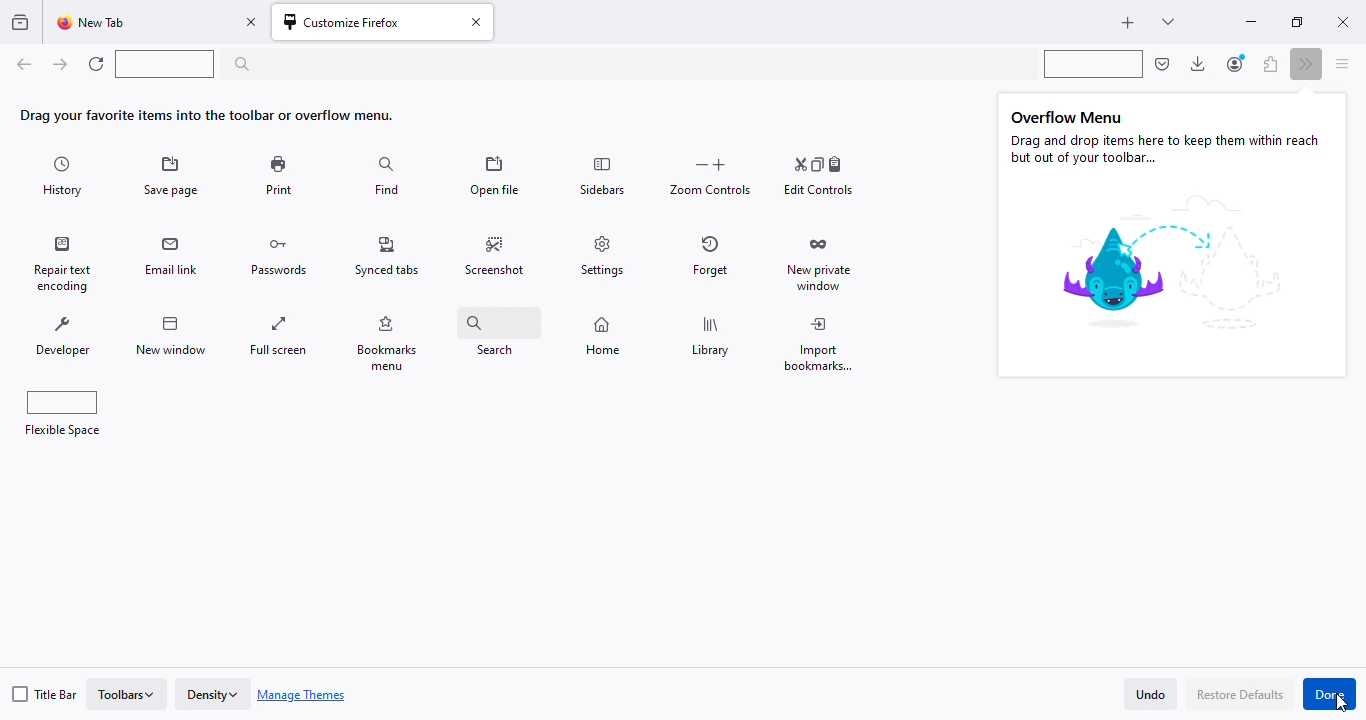 The height and width of the screenshot is (720, 1366). Describe the element at coordinates (1170, 22) in the screenshot. I see `list all tabs` at that location.